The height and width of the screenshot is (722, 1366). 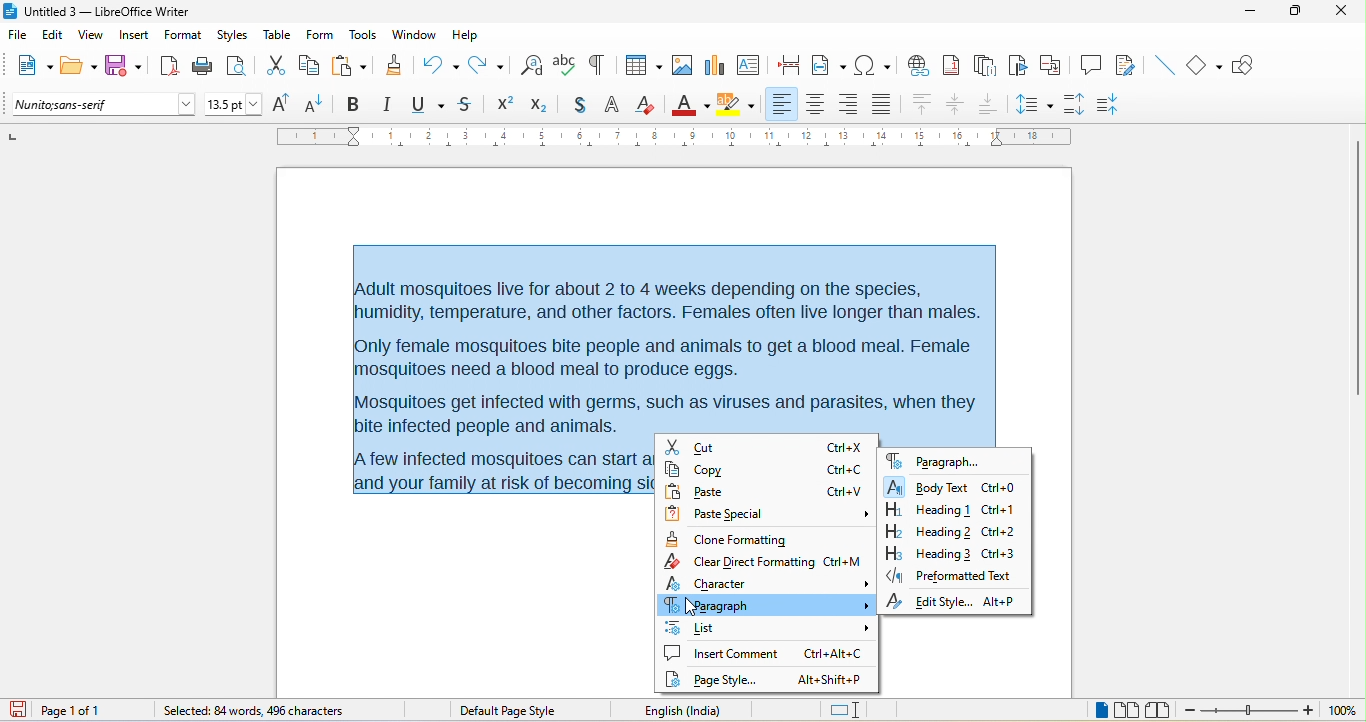 I want to click on paste, so click(x=349, y=66).